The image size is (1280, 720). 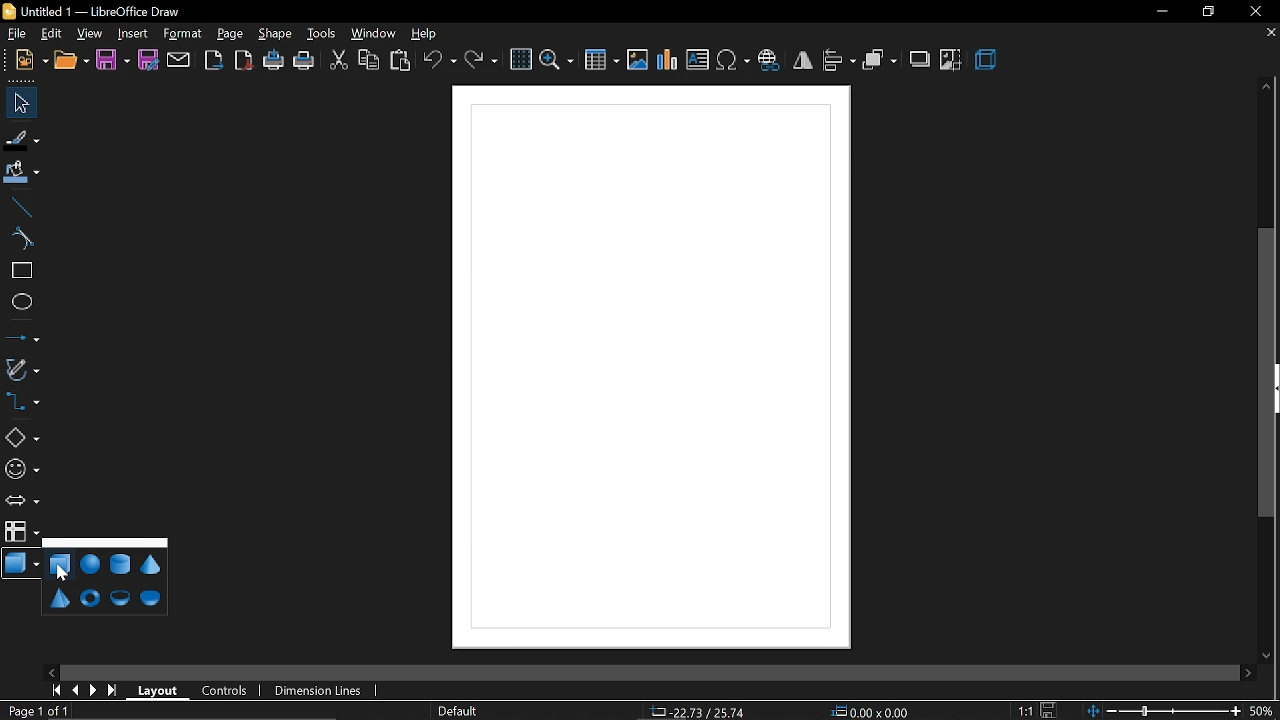 I want to click on insert image, so click(x=638, y=61).